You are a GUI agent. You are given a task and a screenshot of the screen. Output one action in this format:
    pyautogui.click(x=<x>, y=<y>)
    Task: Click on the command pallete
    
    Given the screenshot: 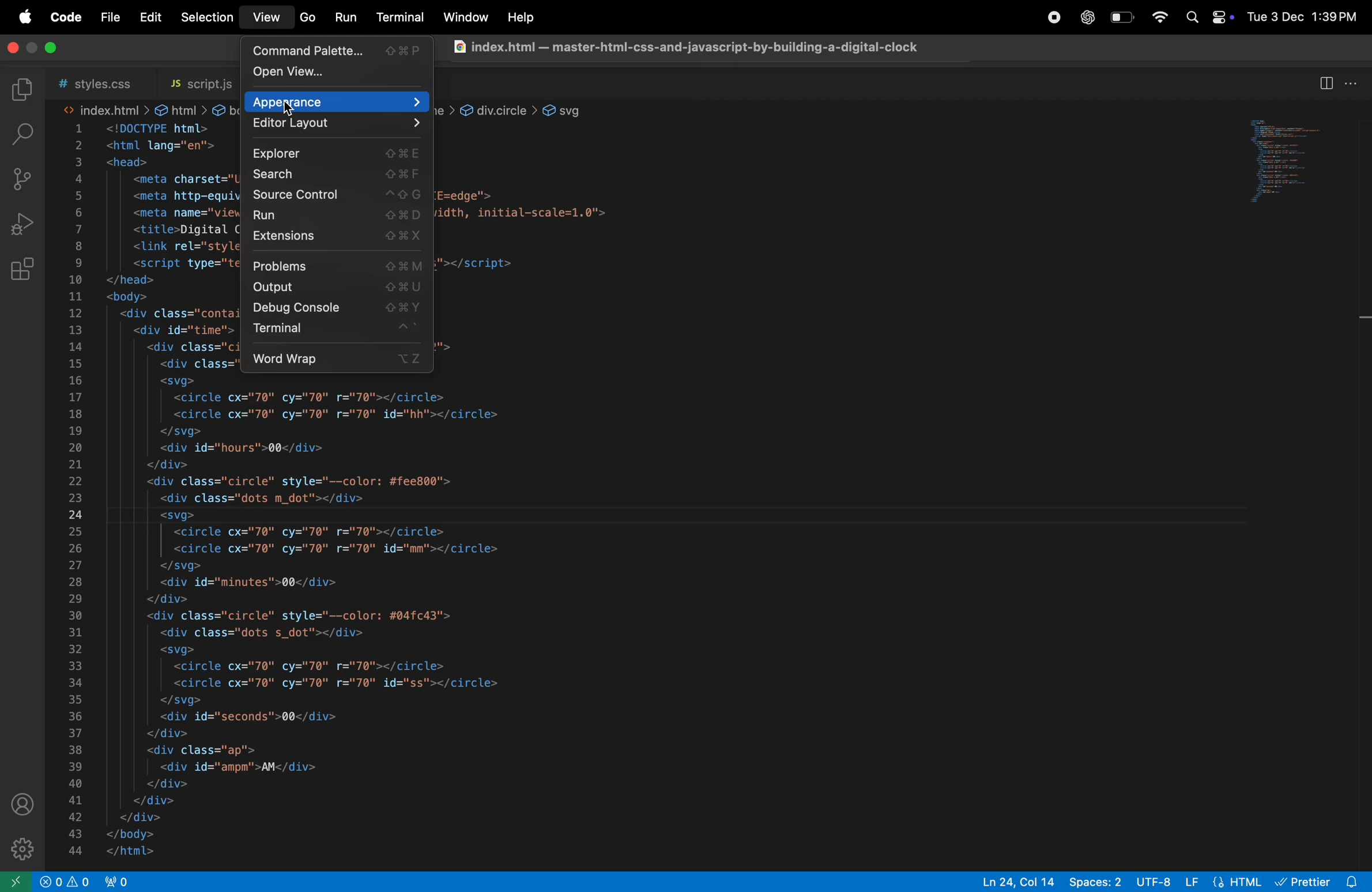 What is the action you would take?
    pyautogui.click(x=338, y=52)
    